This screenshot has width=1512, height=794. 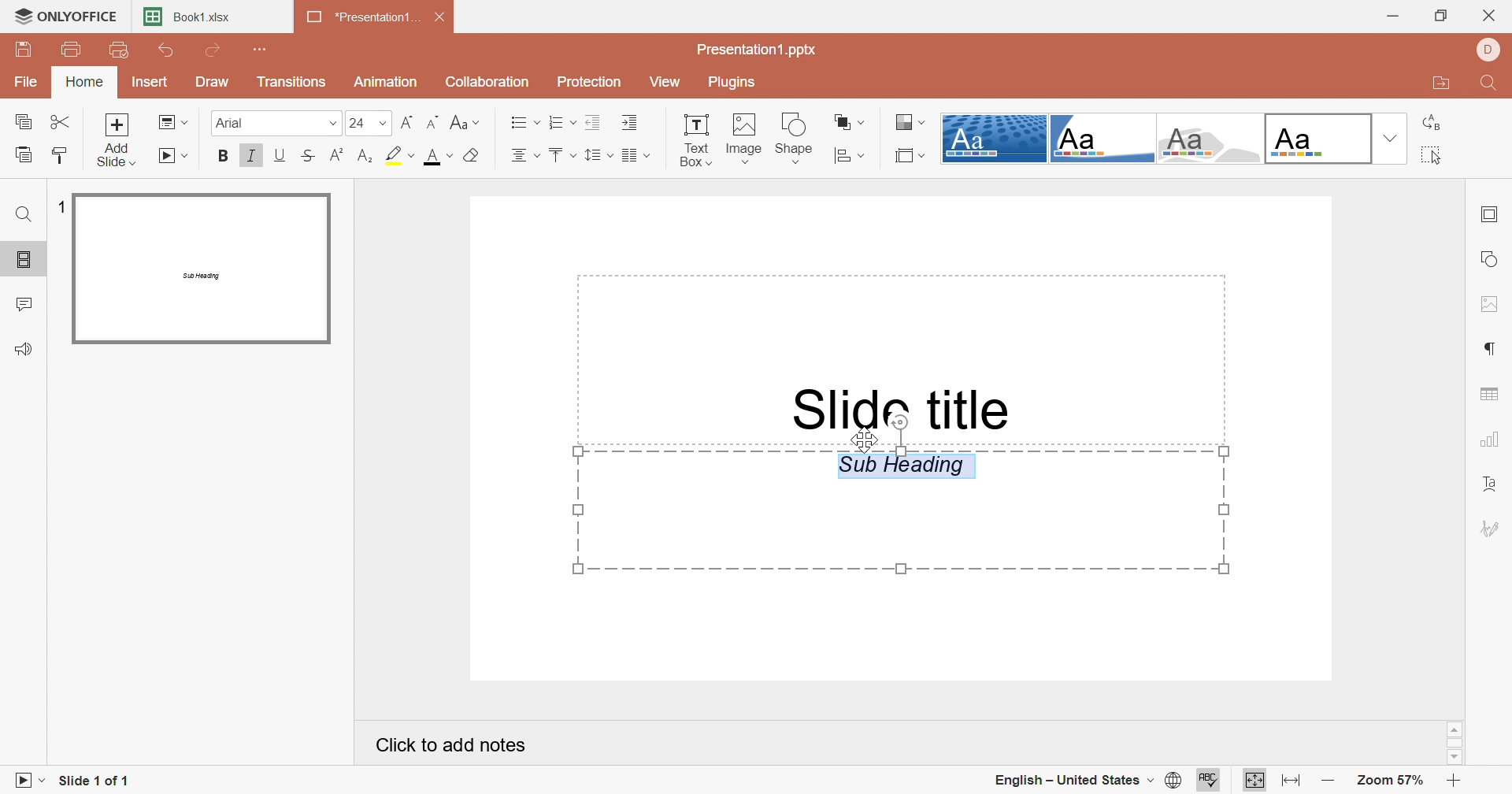 I want to click on Close, so click(x=439, y=15).